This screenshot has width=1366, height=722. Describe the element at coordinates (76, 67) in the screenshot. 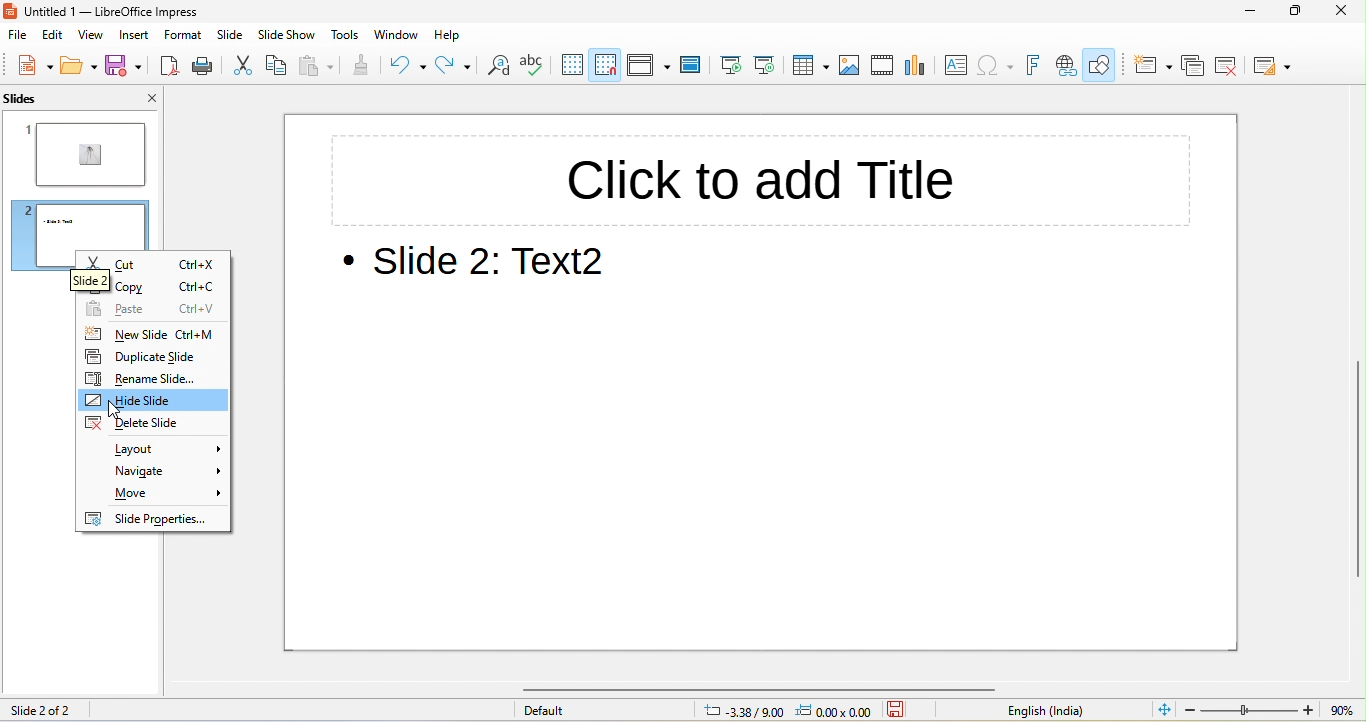

I see `open` at that location.